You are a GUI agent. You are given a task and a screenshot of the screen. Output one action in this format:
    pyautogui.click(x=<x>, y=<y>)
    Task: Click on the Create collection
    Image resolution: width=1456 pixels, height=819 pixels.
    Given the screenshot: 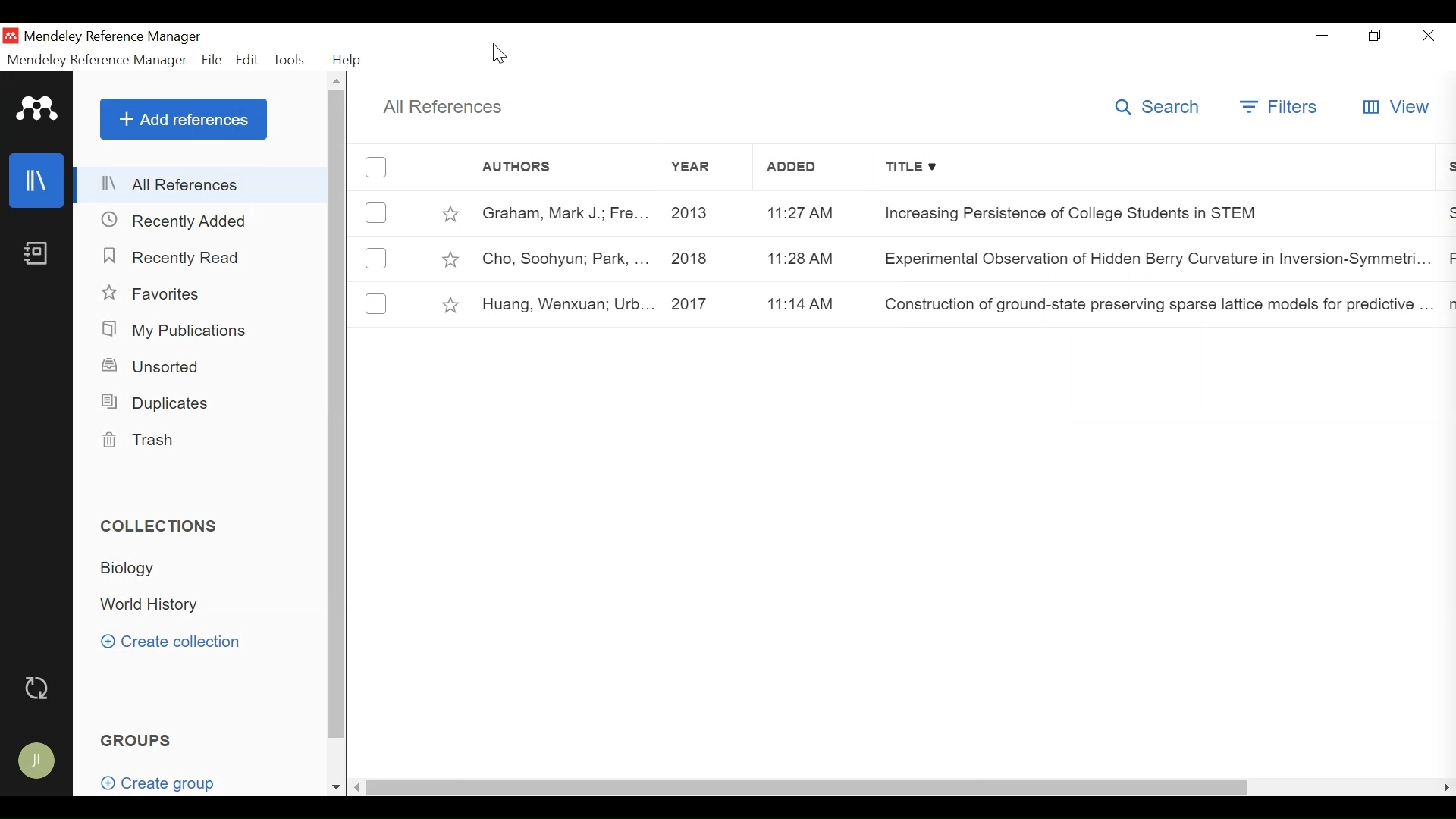 What is the action you would take?
    pyautogui.click(x=171, y=642)
    